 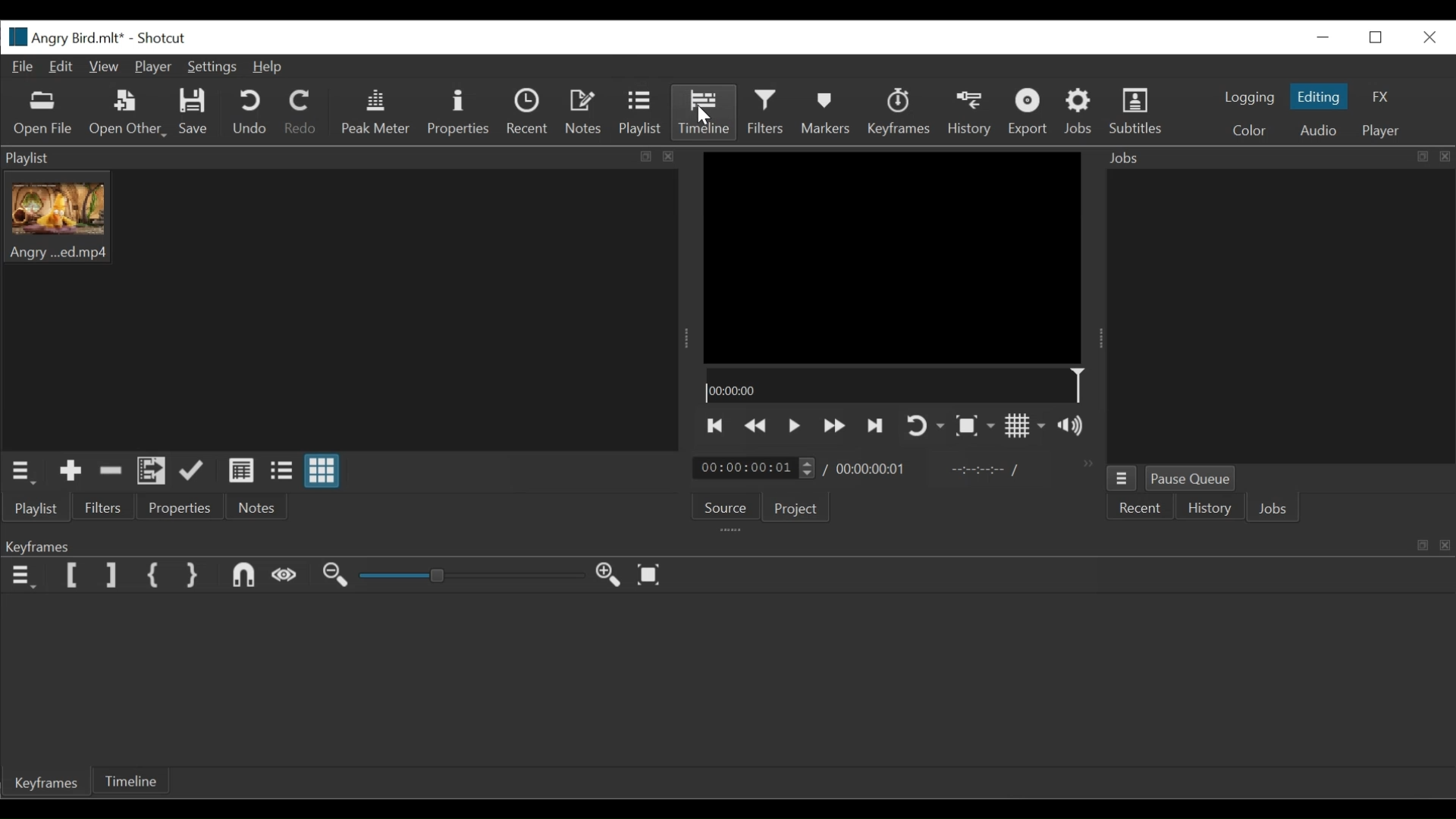 What do you see at coordinates (703, 116) in the screenshot?
I see `Cursor` at bounding box center [703, 116].